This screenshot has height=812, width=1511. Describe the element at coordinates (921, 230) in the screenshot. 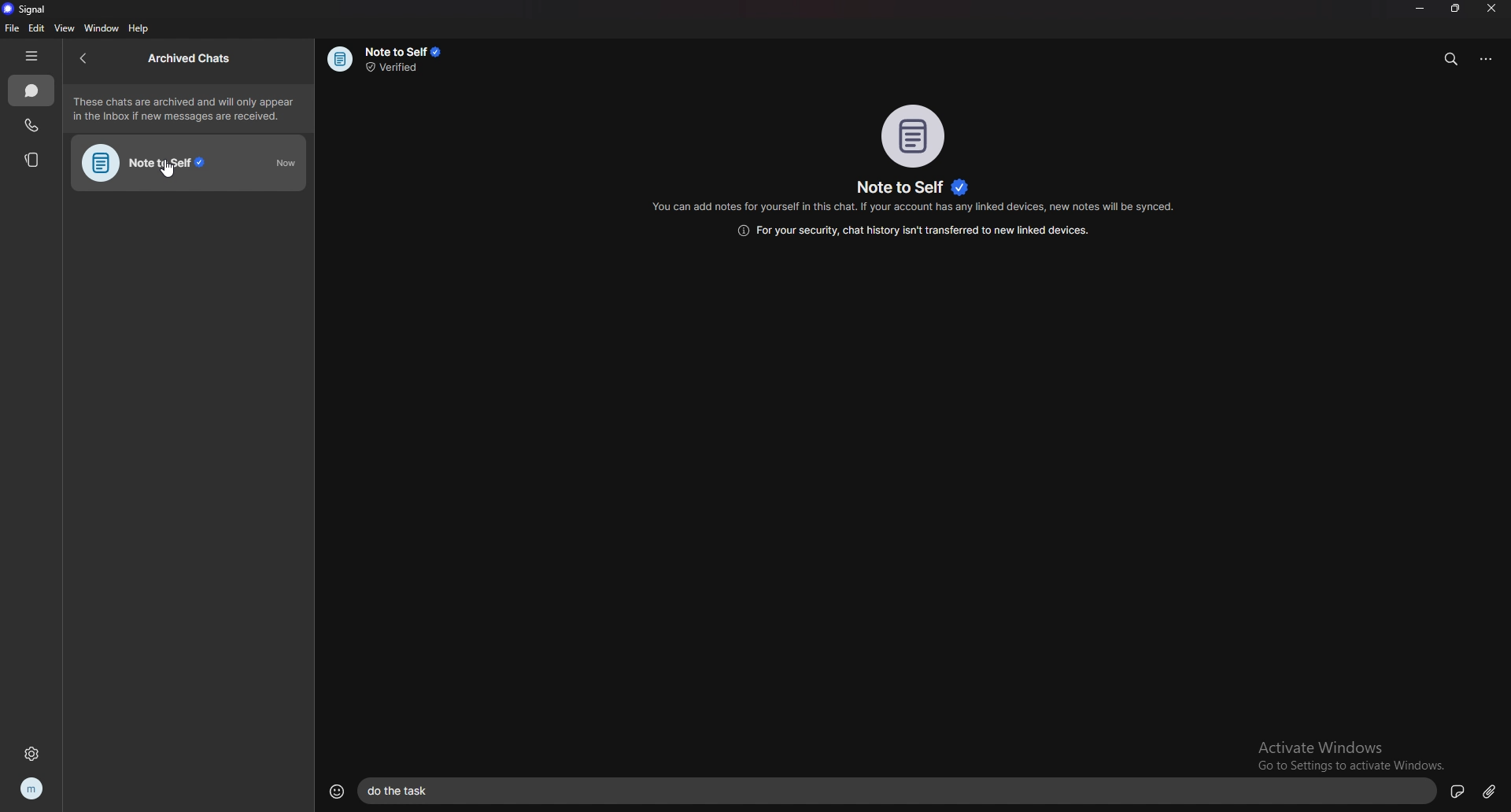

I see `info` at that location.